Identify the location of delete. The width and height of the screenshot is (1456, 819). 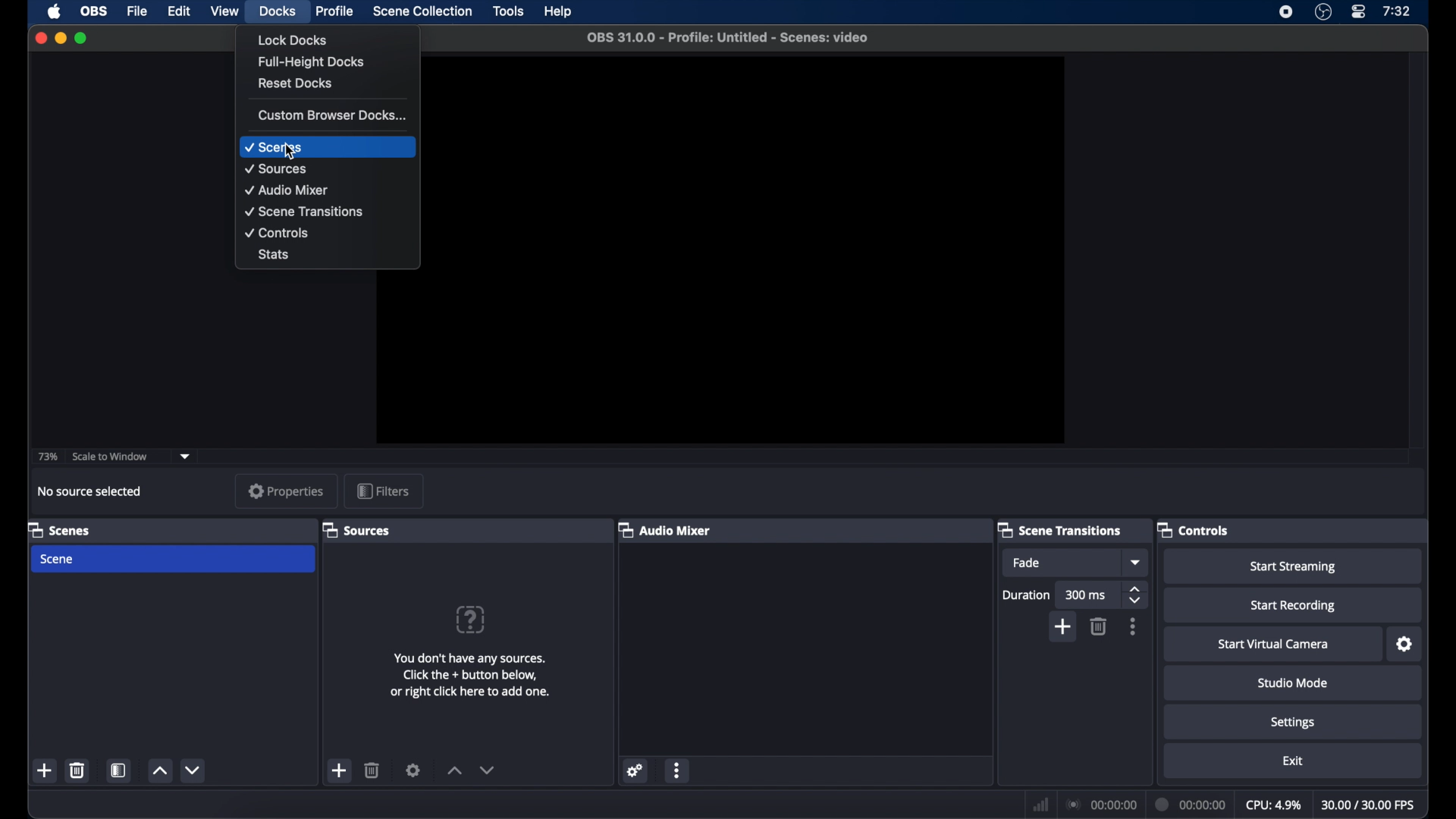
(78, 770).